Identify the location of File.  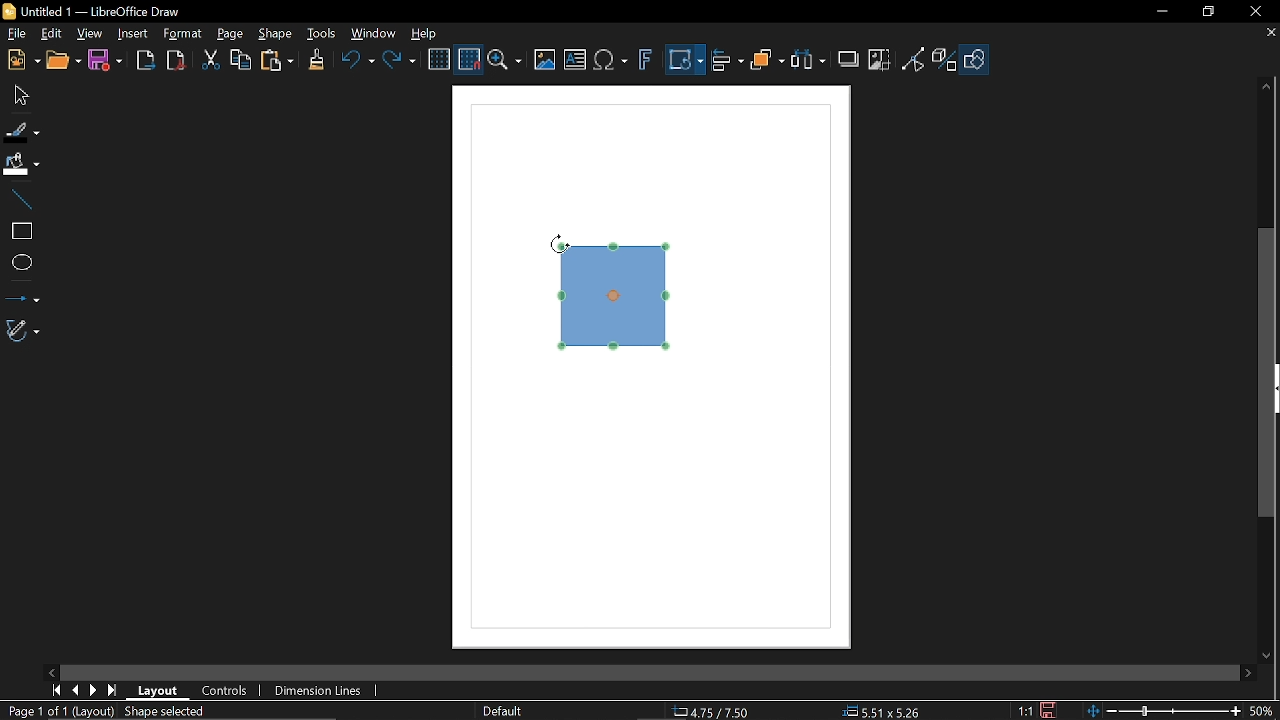
(15, 35).